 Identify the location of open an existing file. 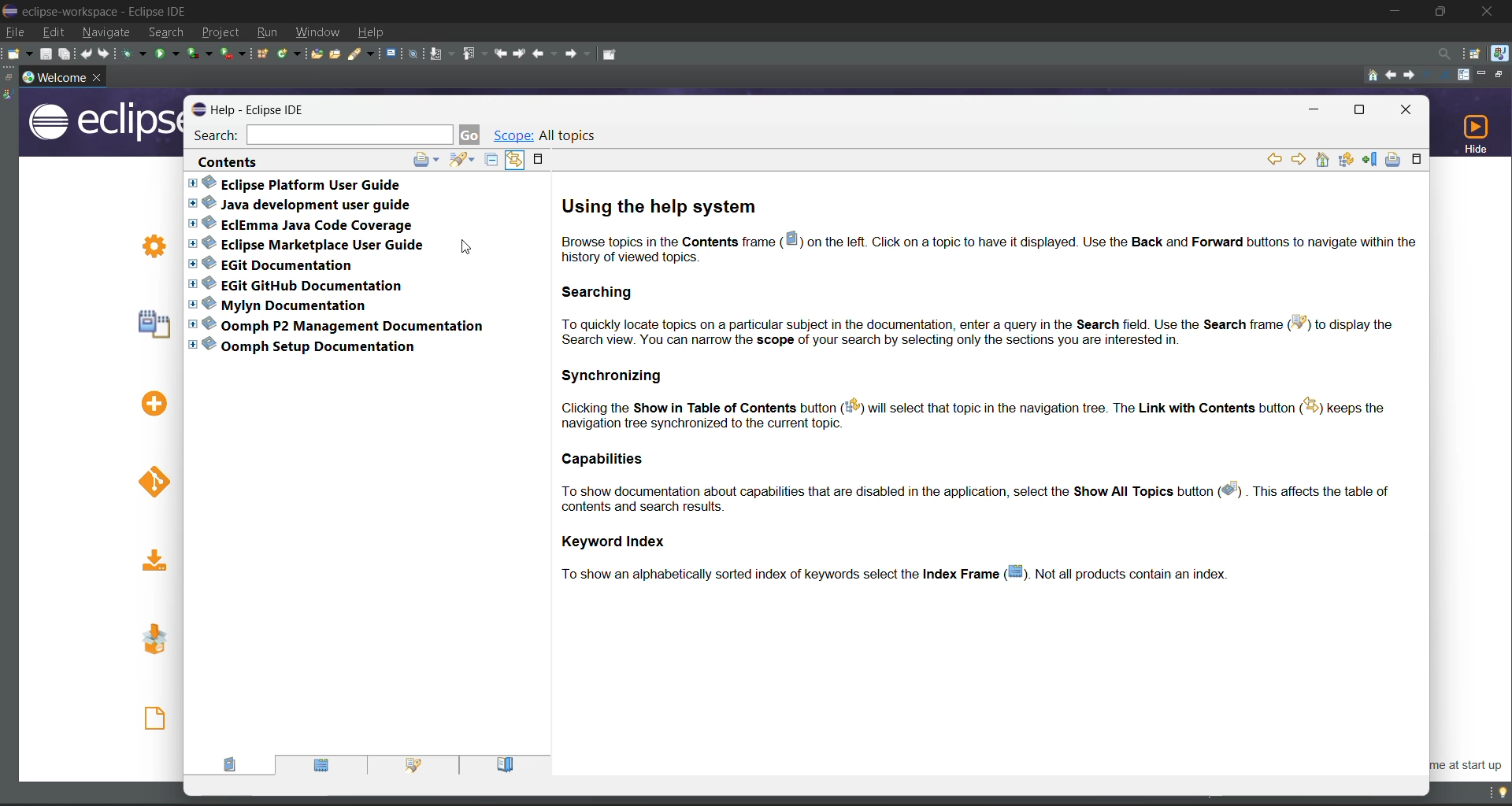
(156, 729).